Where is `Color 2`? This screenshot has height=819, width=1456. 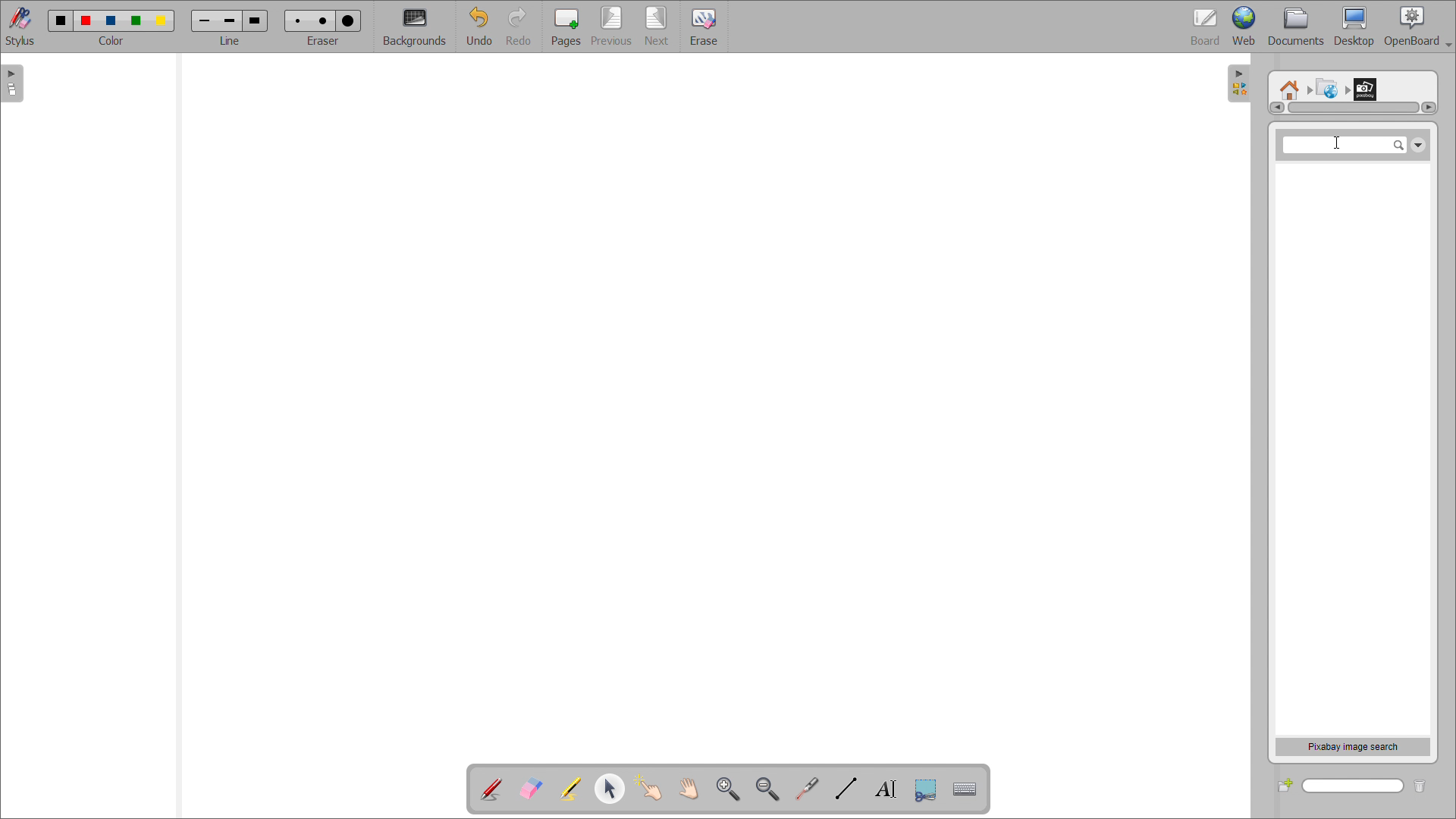 Color 2 is located at coordinates (86, 19).